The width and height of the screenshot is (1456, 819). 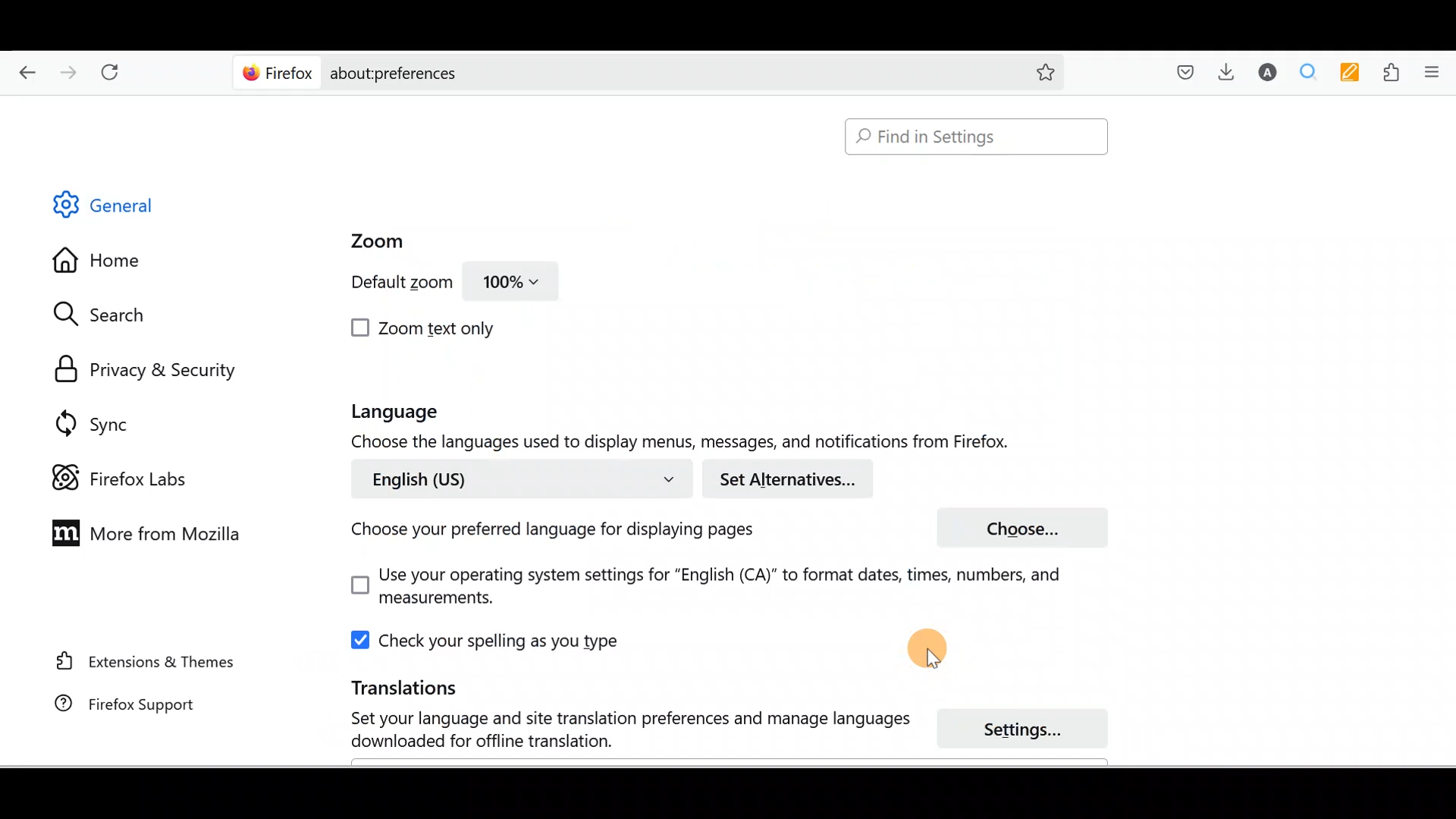 What do you see at coordinates (1445, 431) in the screenshot?
I see `Scroll bar` at bounding box center [1445, 431].